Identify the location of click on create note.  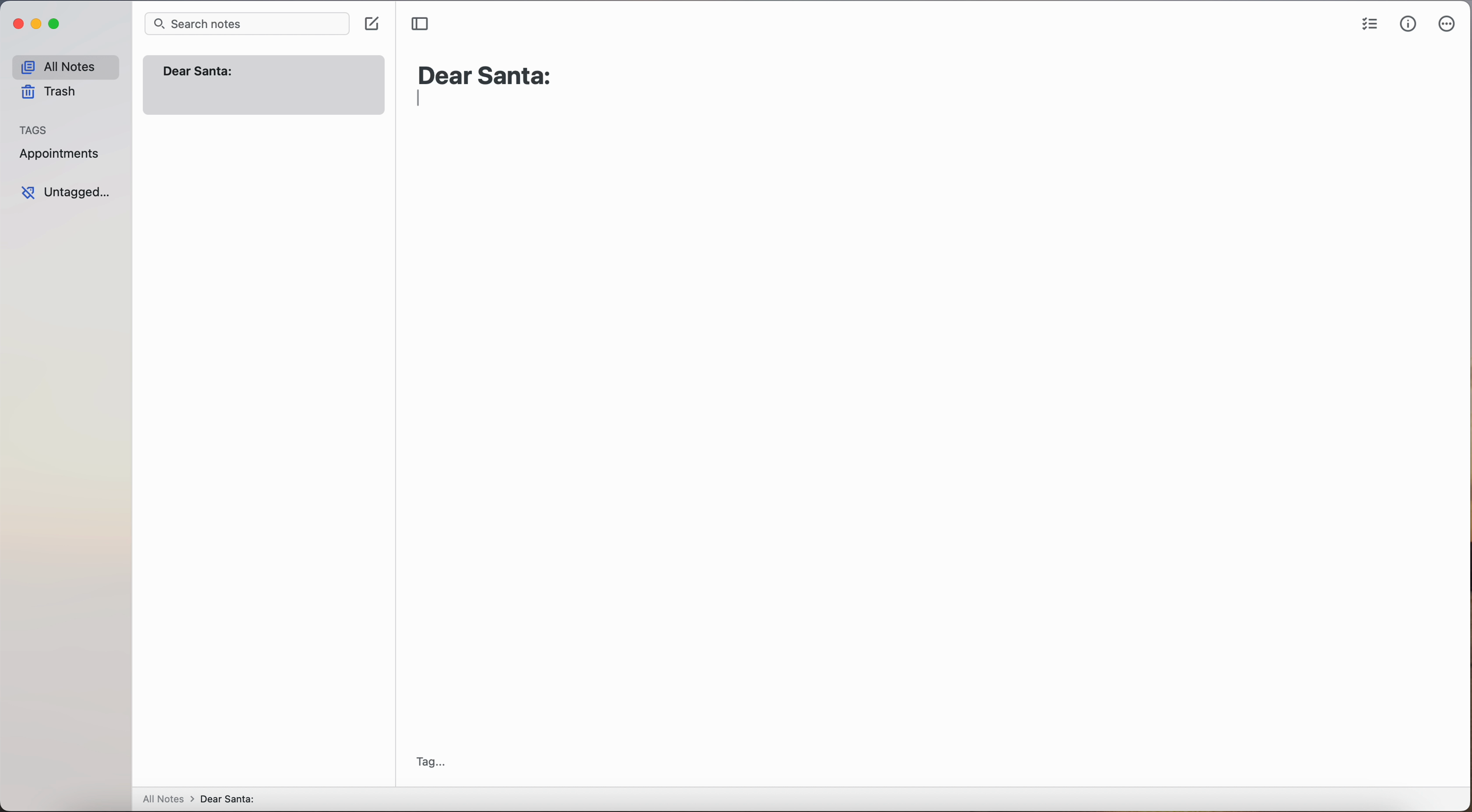
(374, 26).